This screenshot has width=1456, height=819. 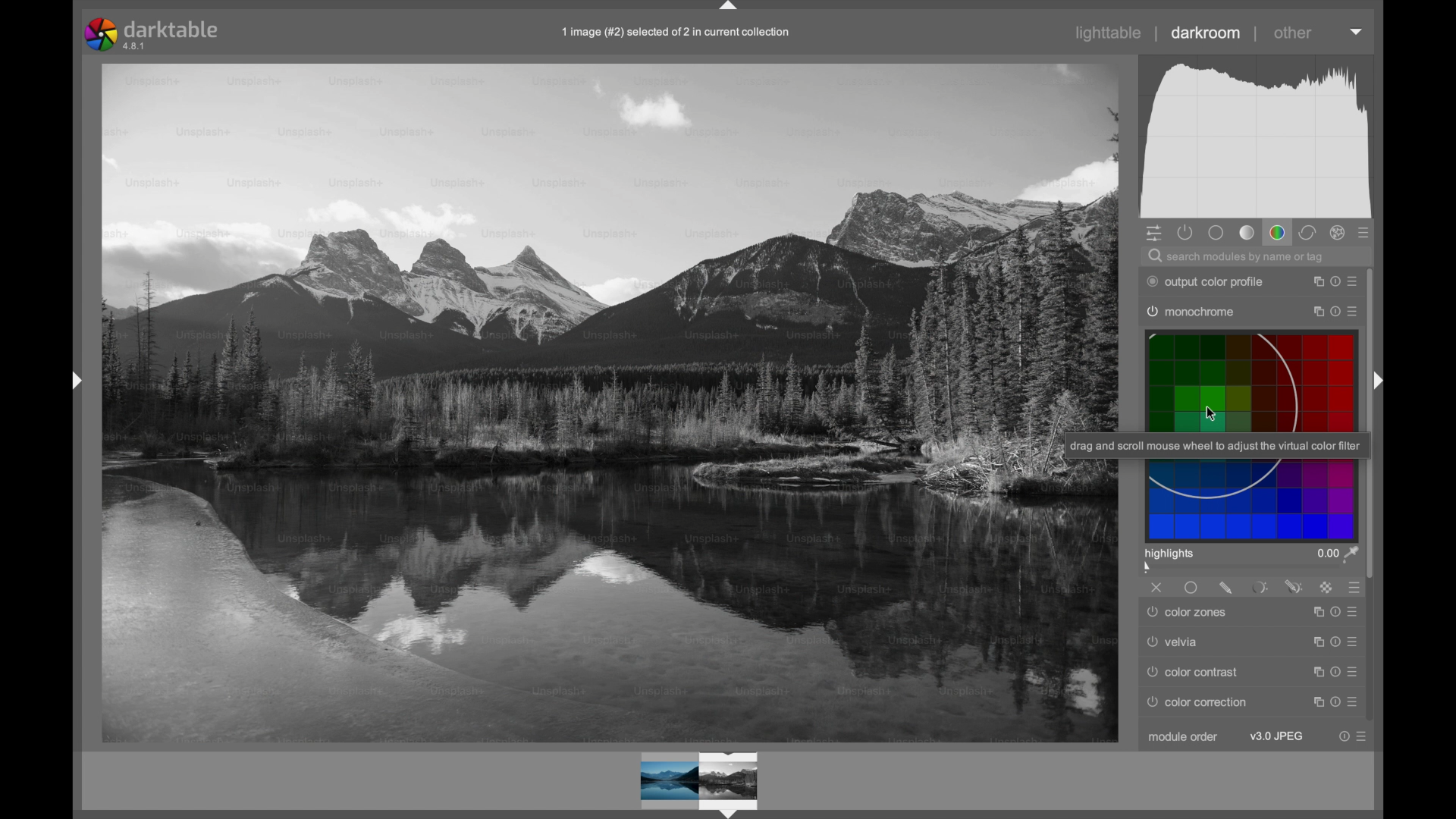 I want to click on separator, so click(x=1156, y=34).